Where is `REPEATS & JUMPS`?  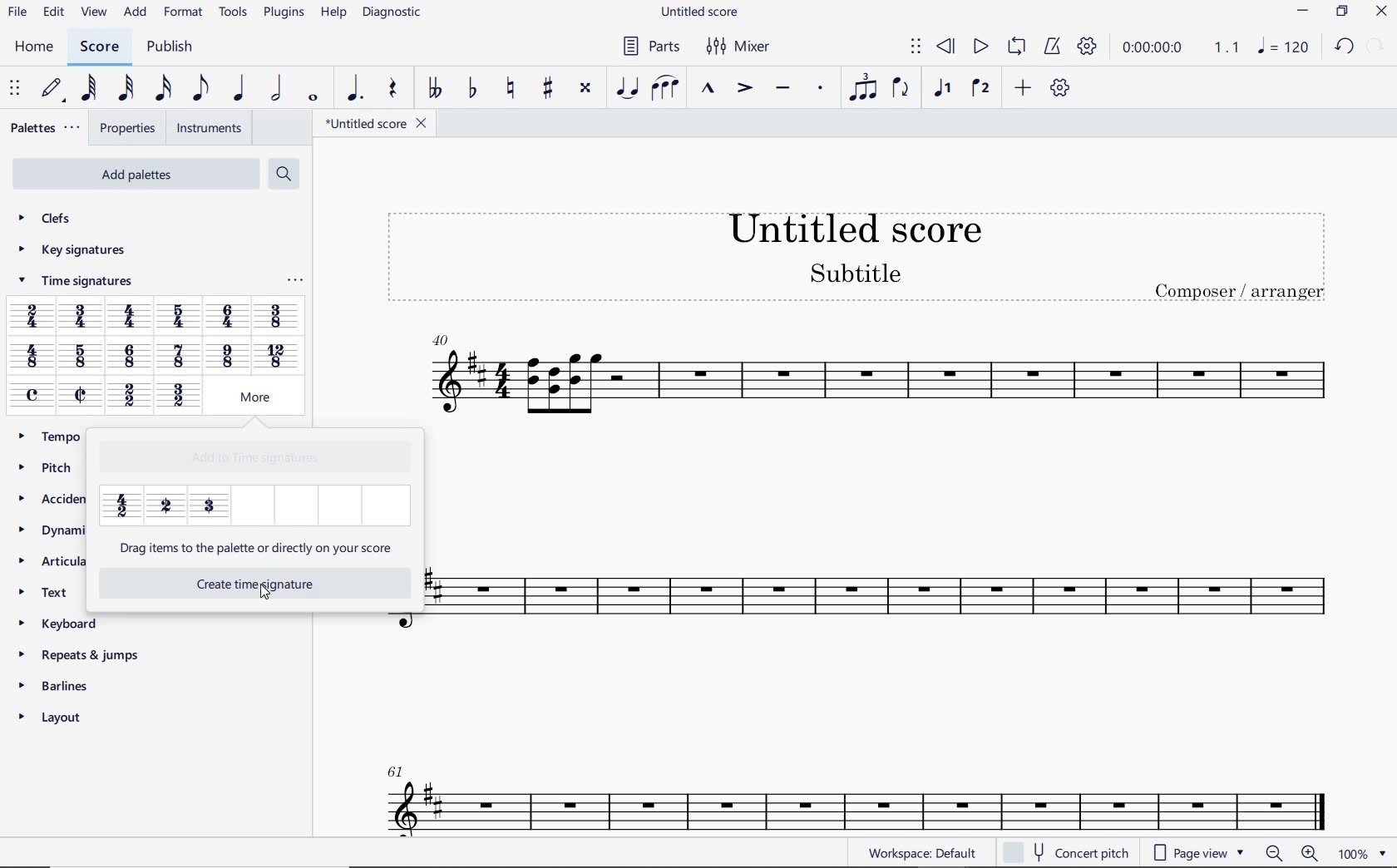 REPEATS & JUMPS is located at coordinates (81, 651).